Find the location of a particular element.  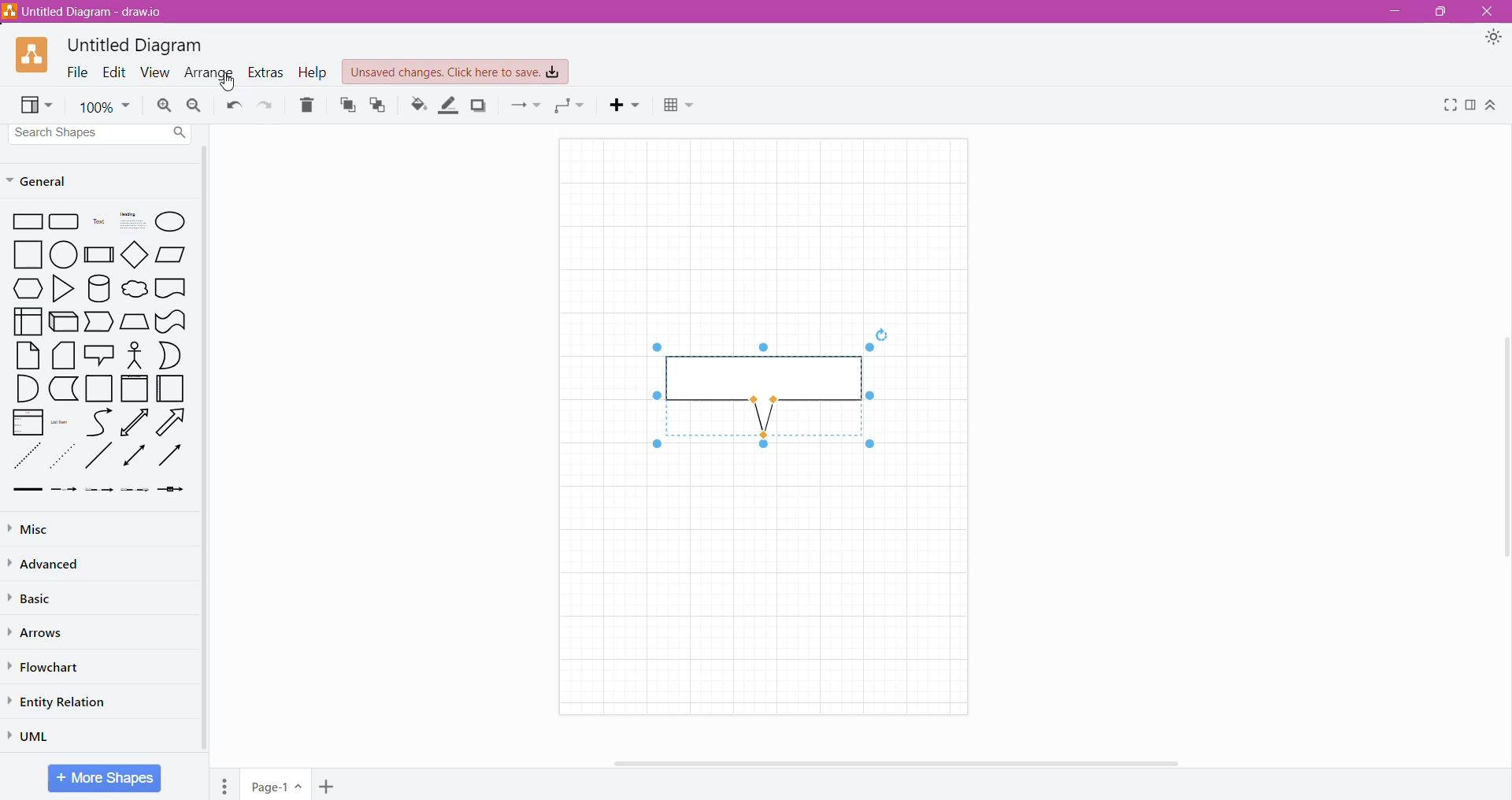

Format is located at coordinates (1470, 106).